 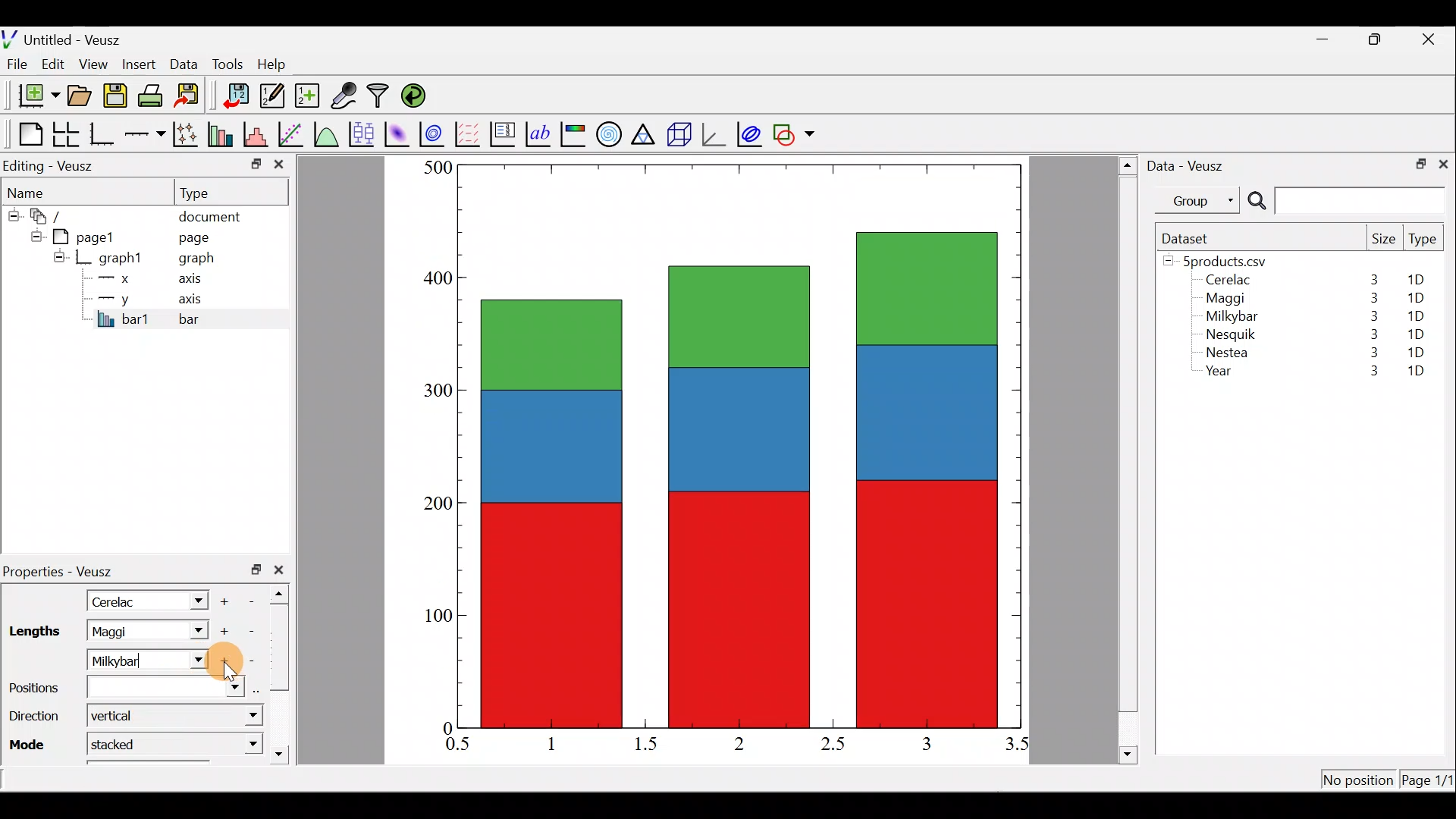 What do you see at coordinates (256, 600) in the screenshot?
I see `Remove item` at bounding box center [256, 600].